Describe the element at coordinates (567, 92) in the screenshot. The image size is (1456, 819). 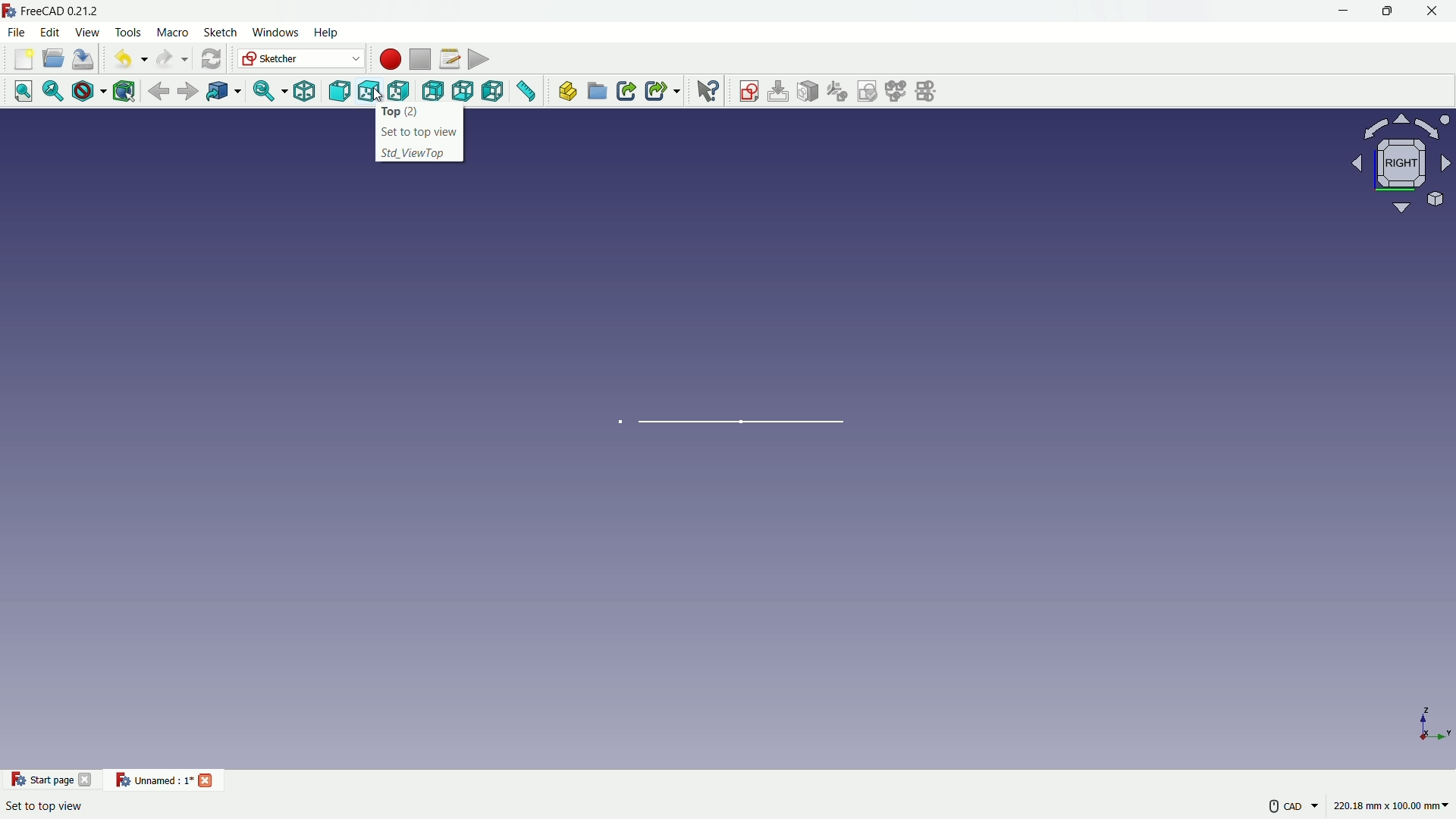
I see `create part` at that location.